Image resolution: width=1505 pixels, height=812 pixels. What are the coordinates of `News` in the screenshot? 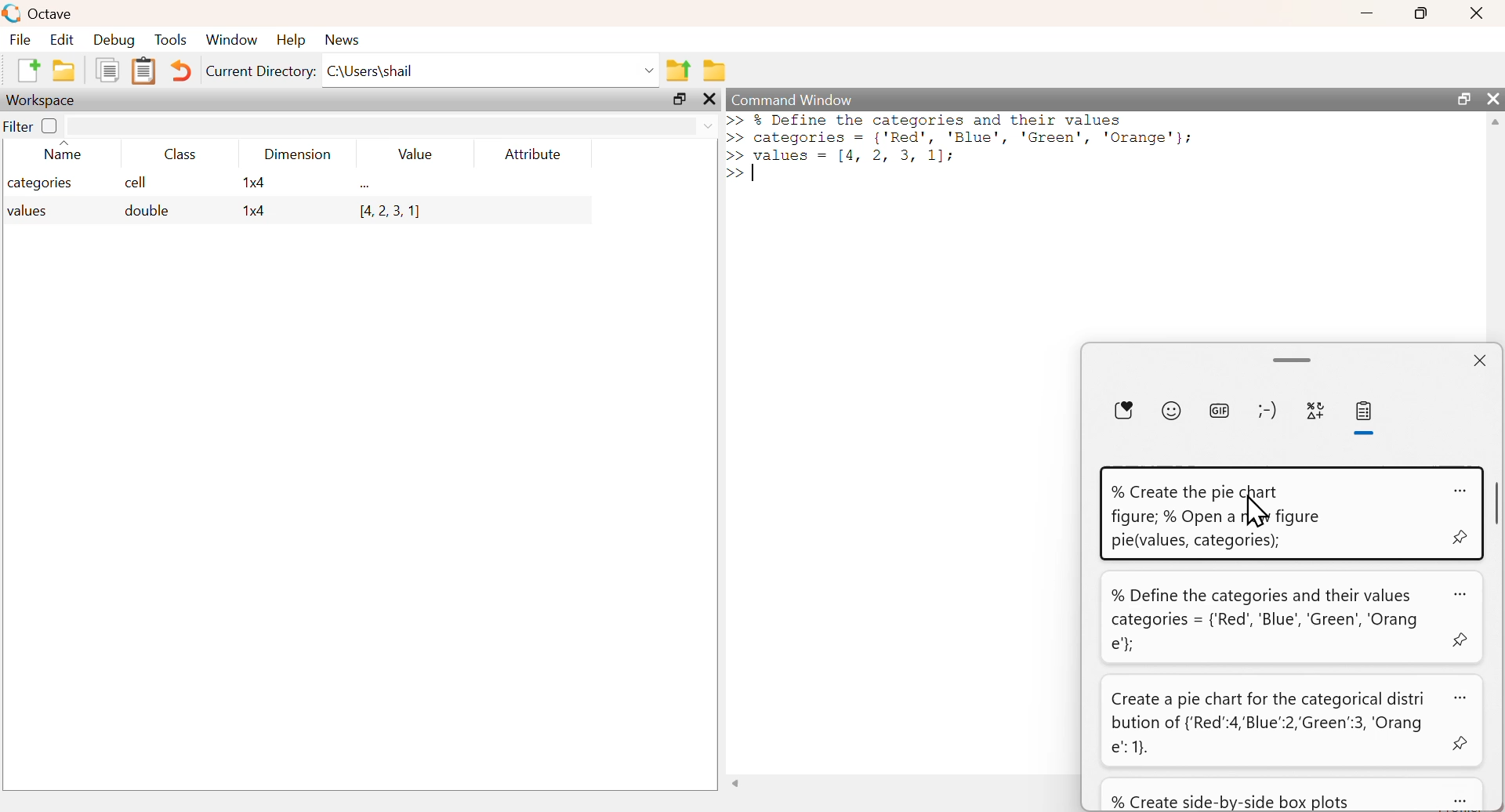 It's located at (343, 40).